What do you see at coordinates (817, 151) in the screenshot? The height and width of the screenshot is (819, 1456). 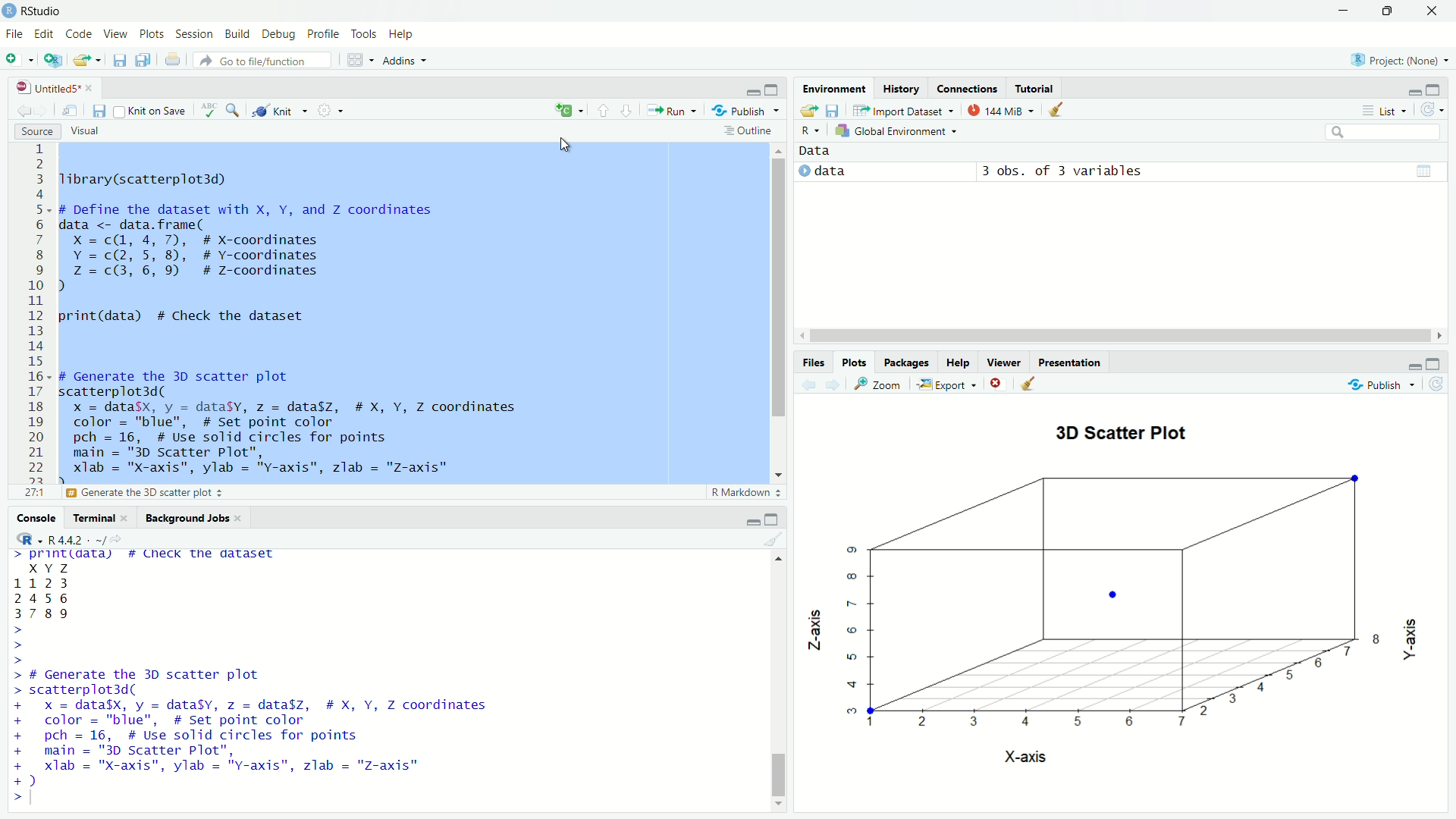 I see `data` at bounding box center [817, 151].